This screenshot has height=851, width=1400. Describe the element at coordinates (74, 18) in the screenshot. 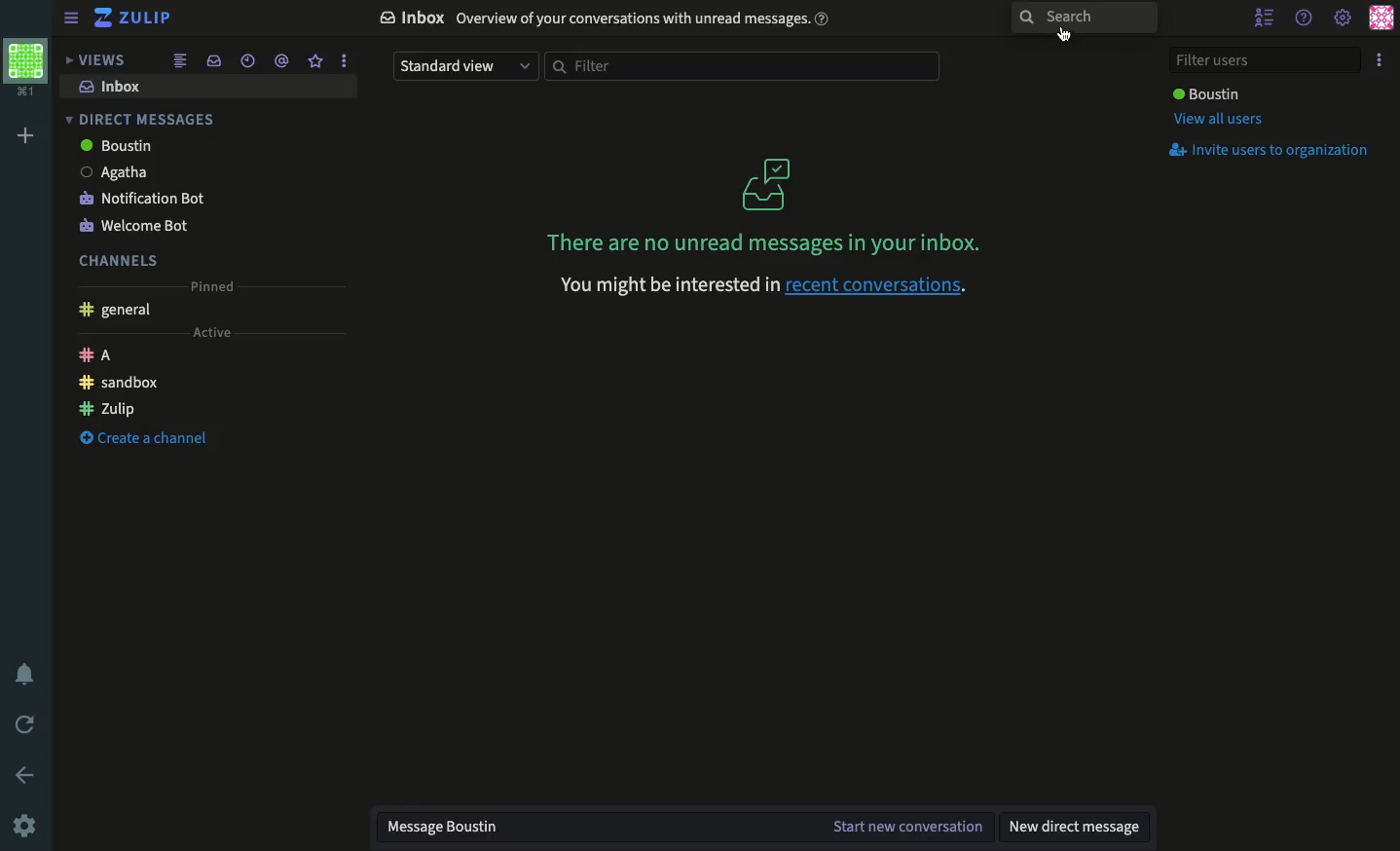

I see `View menu` at that location.